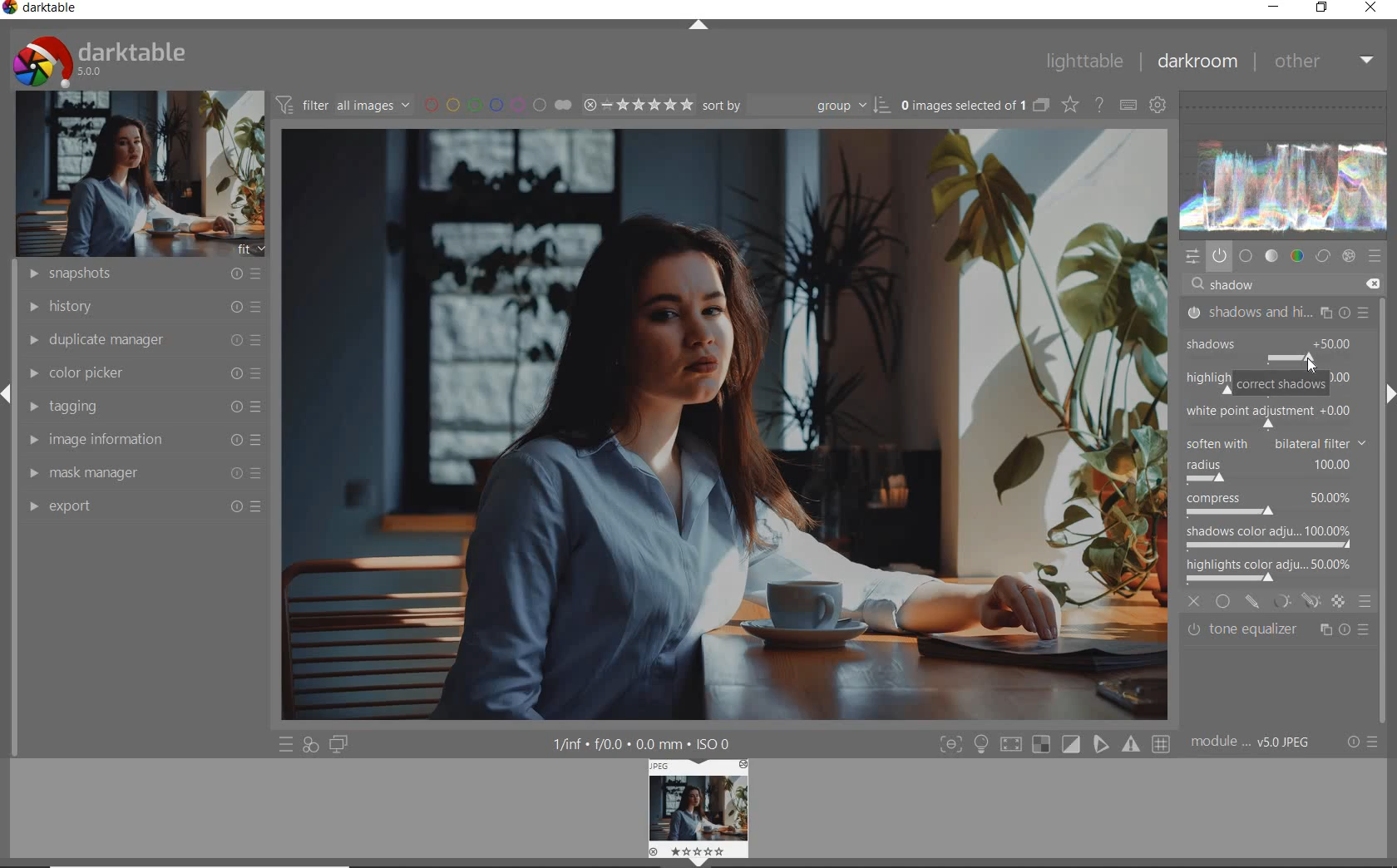 The width and height of the screenshot is (1397, 868). What do you see at coordinates (1274, 7) in the screenshot?
I see `minimize` at bounding box center [1274, 7].